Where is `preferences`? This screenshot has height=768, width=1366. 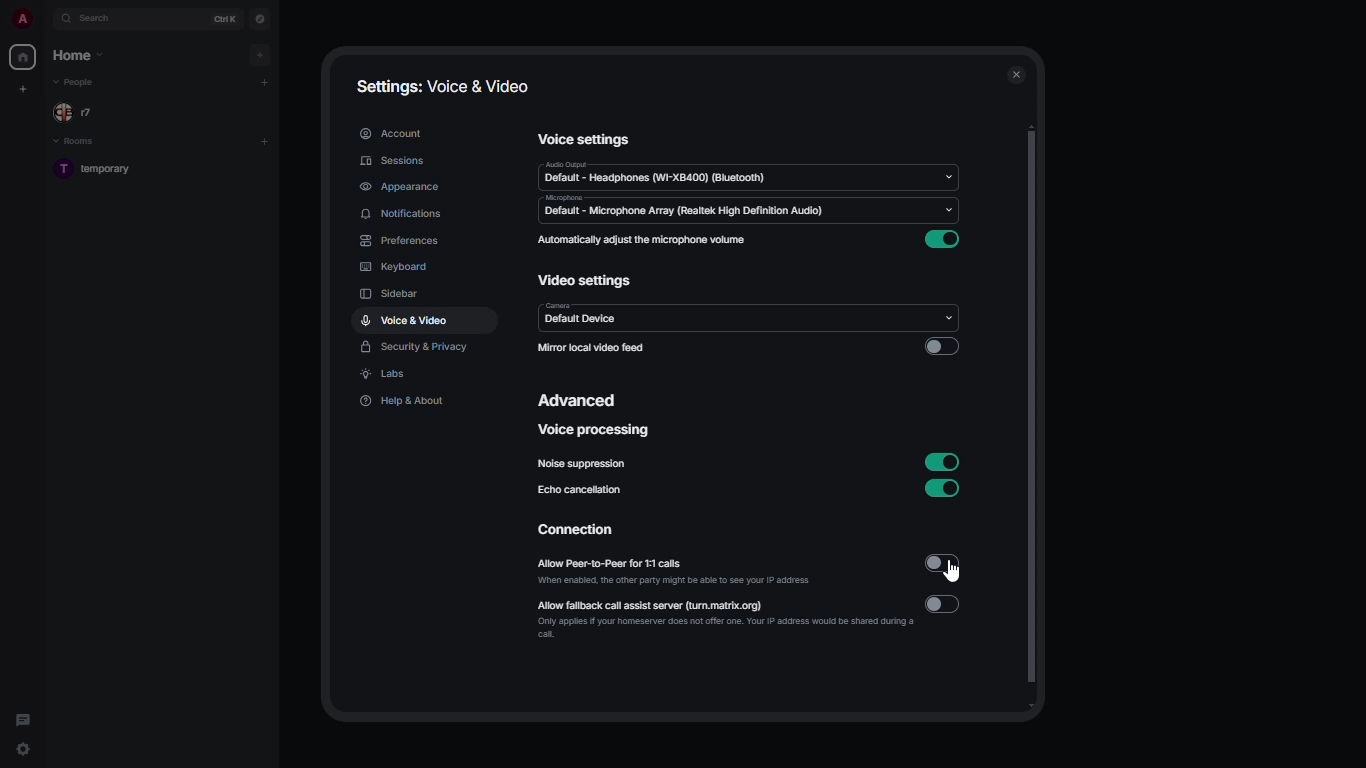
preferences is located at coordinates (398, 241).